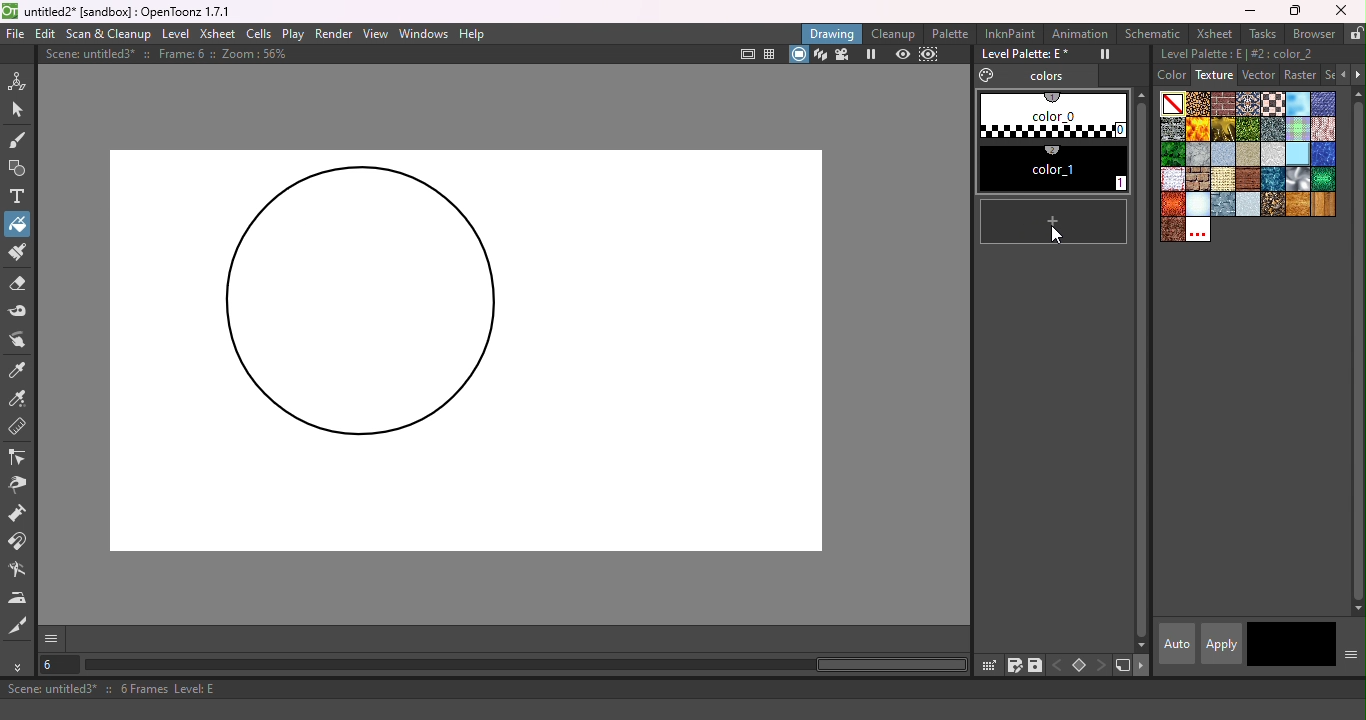 This screenshot has height=720, width=1366. Describe the element at coordinates (1248, 154) in the screenshot. I see `Paper 4.bmp` at that location.